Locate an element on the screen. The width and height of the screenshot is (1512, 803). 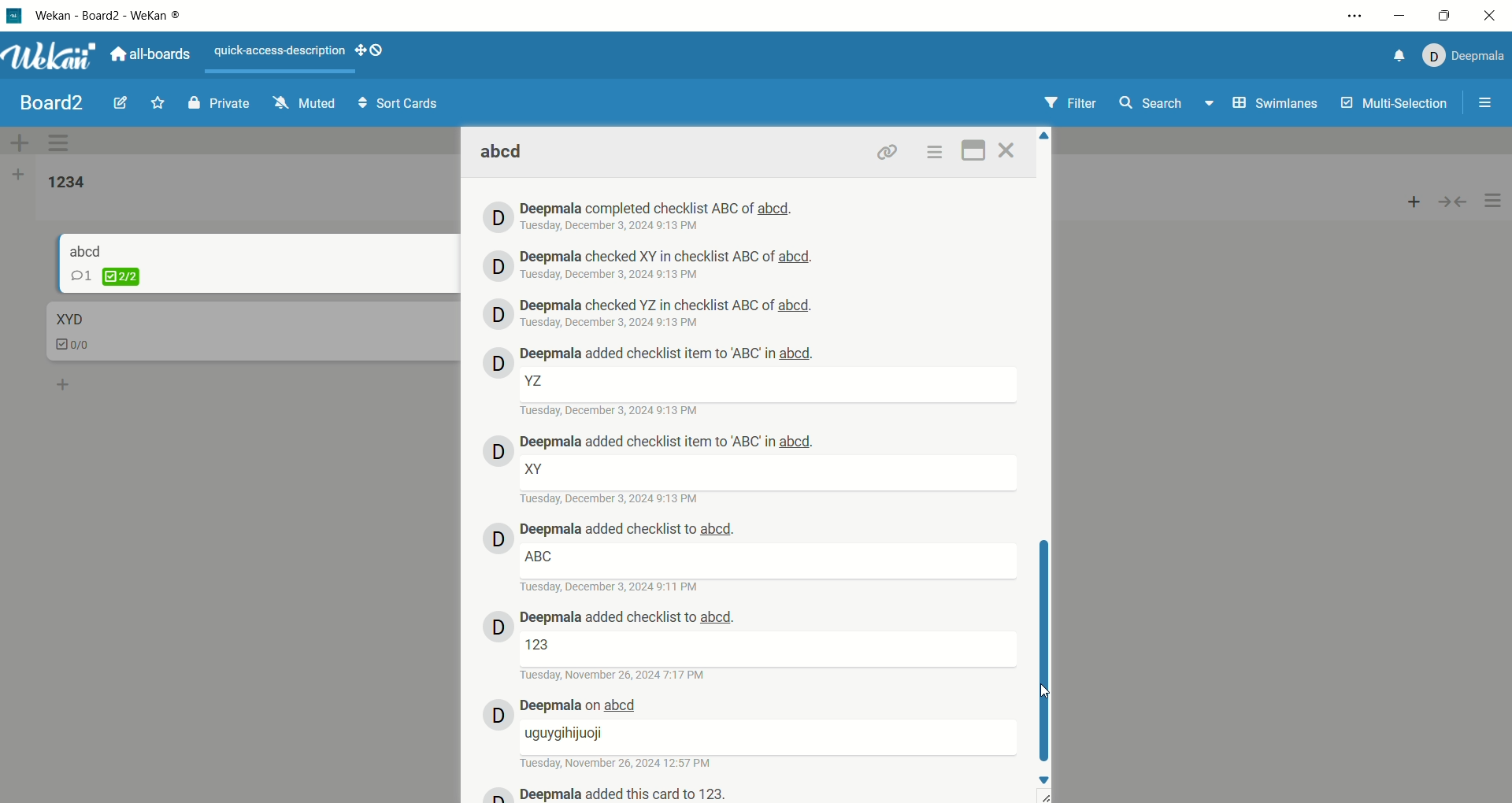
deepmala history is located at coordinates (668, 443).